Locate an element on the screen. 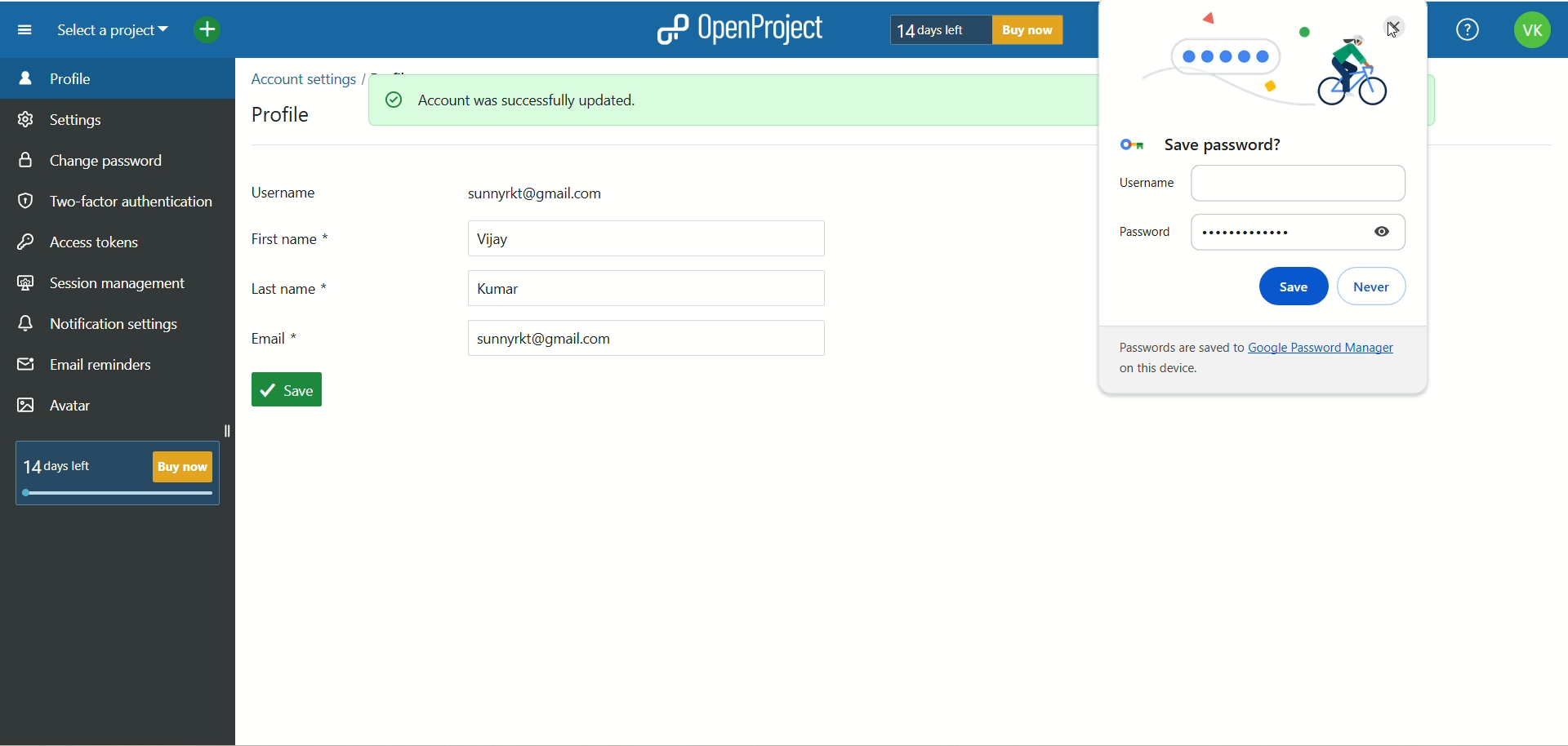 The image size is (1568, 746). password is located at coordinates (1261, 231).